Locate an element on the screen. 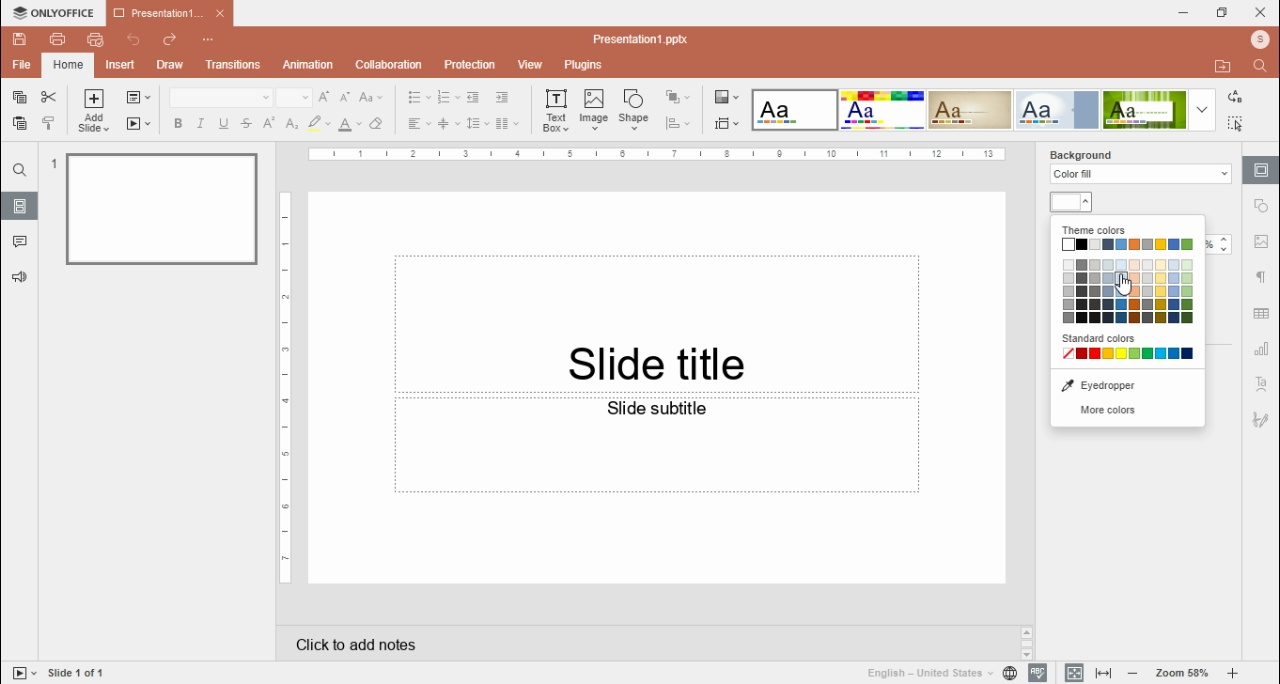 This screenshot has height=684, width=1280. highlight color is located at coordinates (317, 124).